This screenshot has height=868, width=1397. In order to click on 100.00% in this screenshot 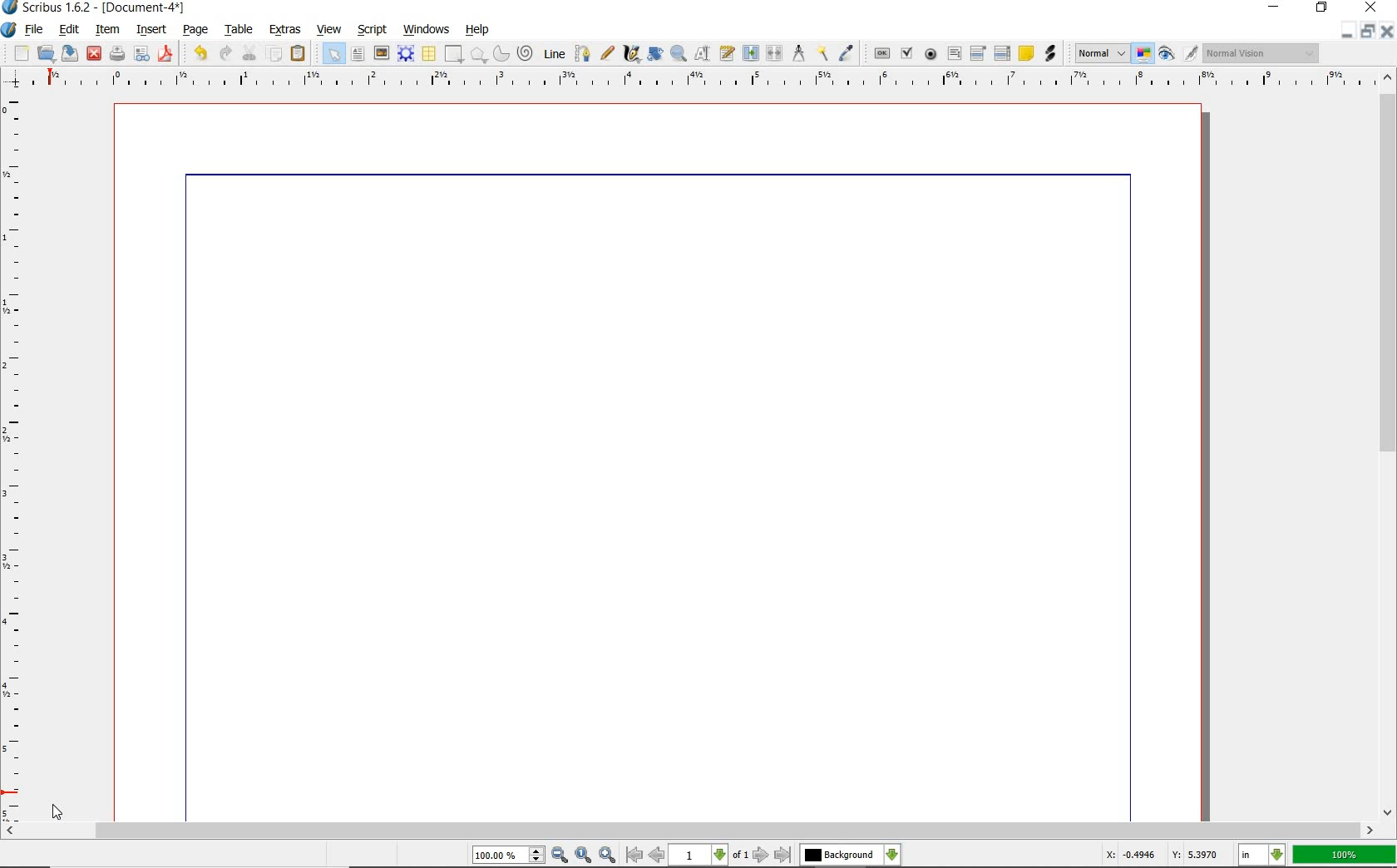, I will do `click(510, 856)`.